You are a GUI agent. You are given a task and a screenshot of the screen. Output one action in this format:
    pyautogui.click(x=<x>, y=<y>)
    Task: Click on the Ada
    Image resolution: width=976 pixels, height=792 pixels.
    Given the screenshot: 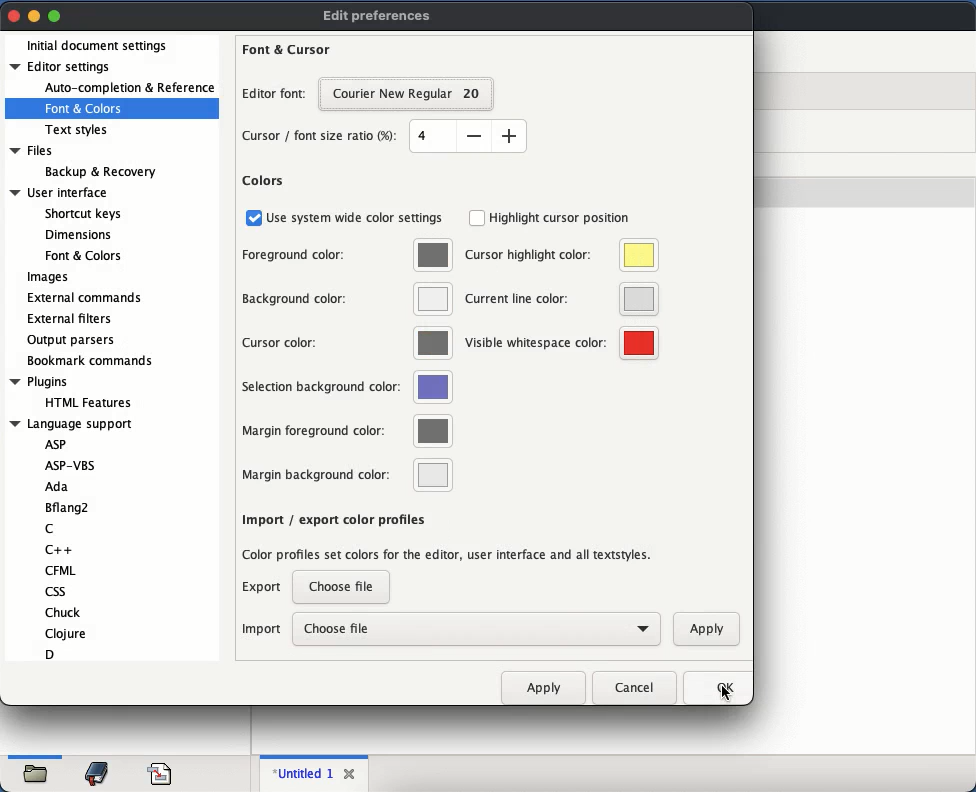 What is the action you would take?
    pyautogui.click(x=60, y=487)
    